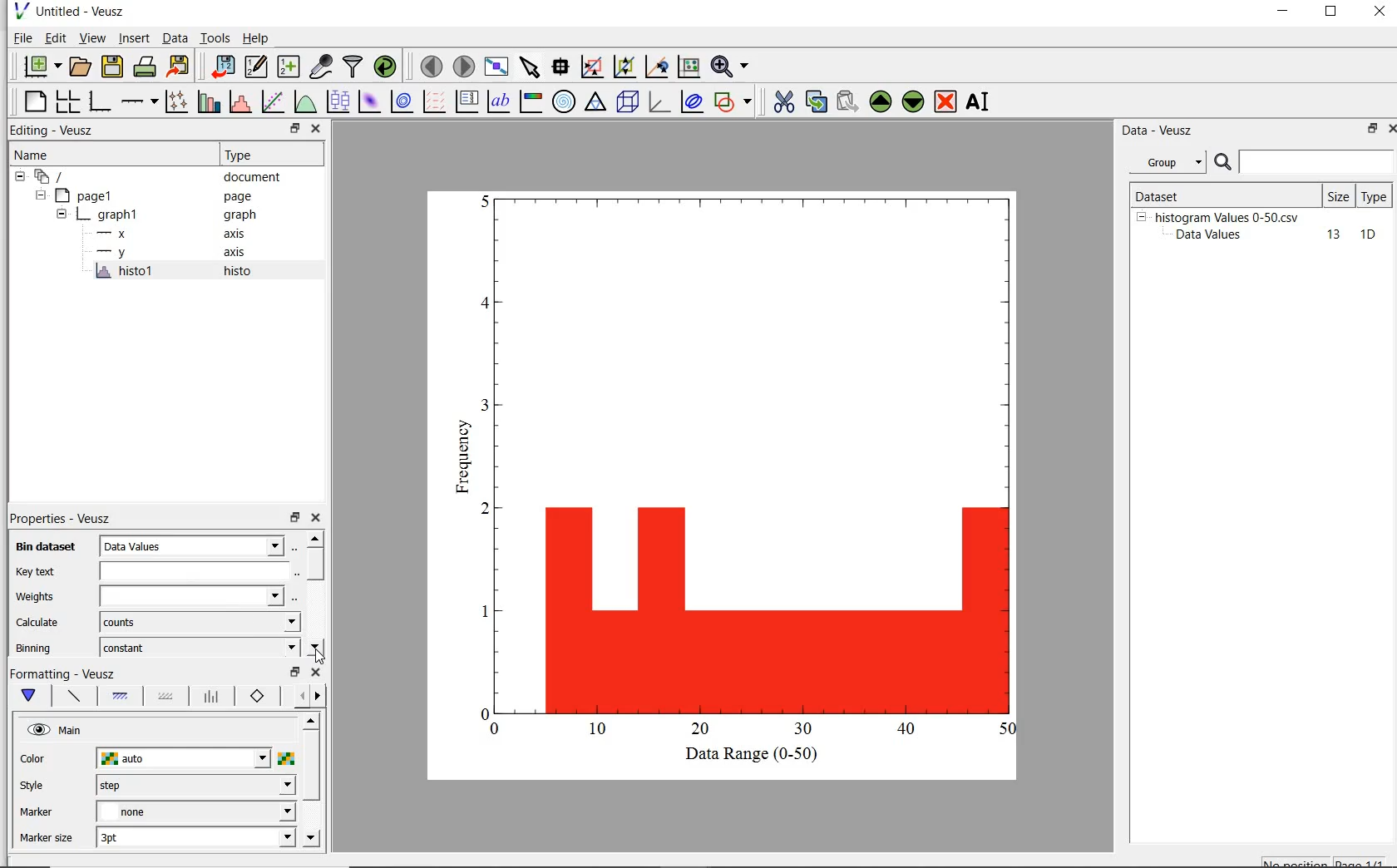  What do you see at coordinates (782, 104) in the screenshot?
I see `cut the the selected widget` at bounding box center [782, 104].